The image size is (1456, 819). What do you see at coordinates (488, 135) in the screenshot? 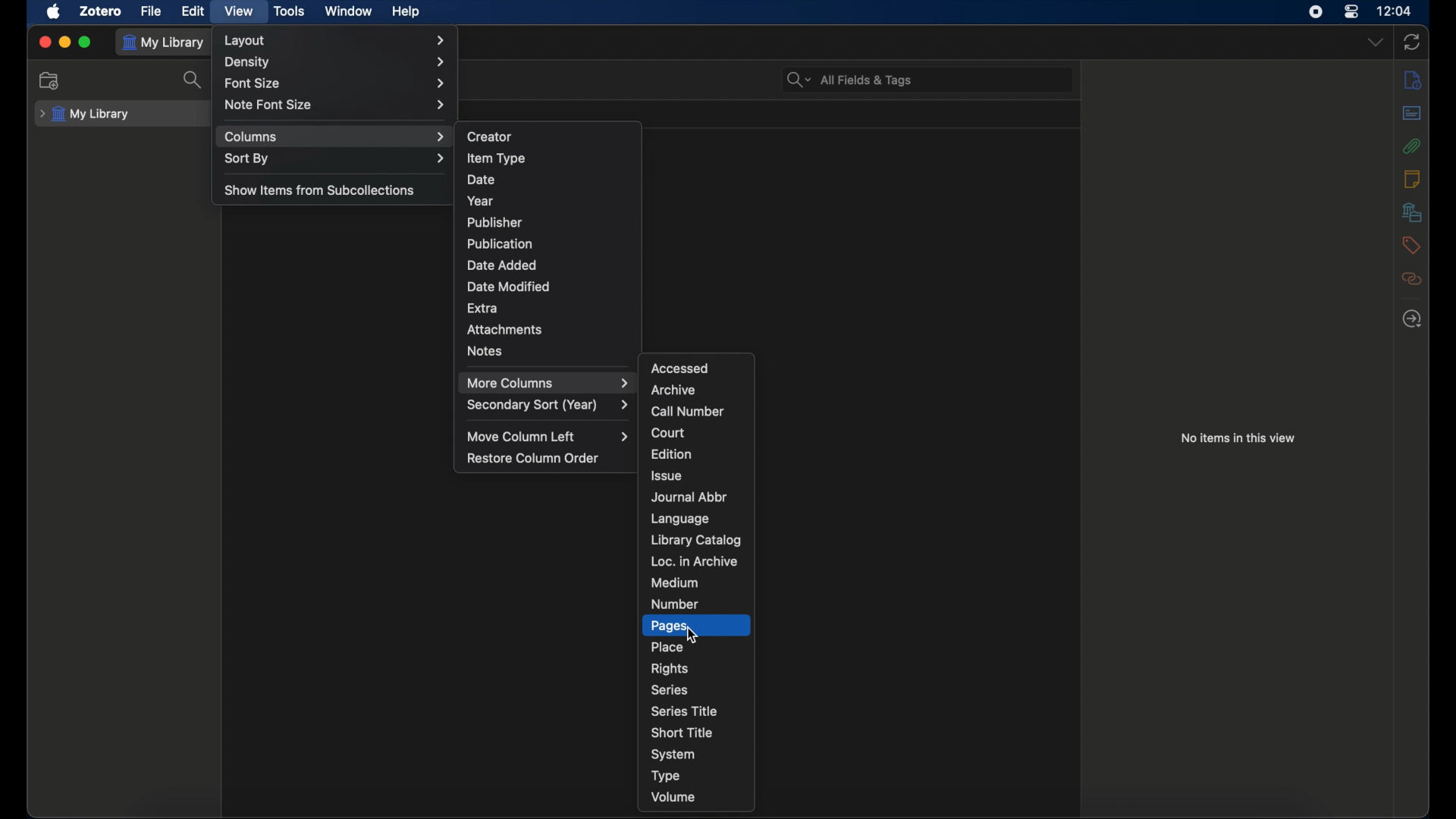
I see `creator` at bounding box center [488, 135].